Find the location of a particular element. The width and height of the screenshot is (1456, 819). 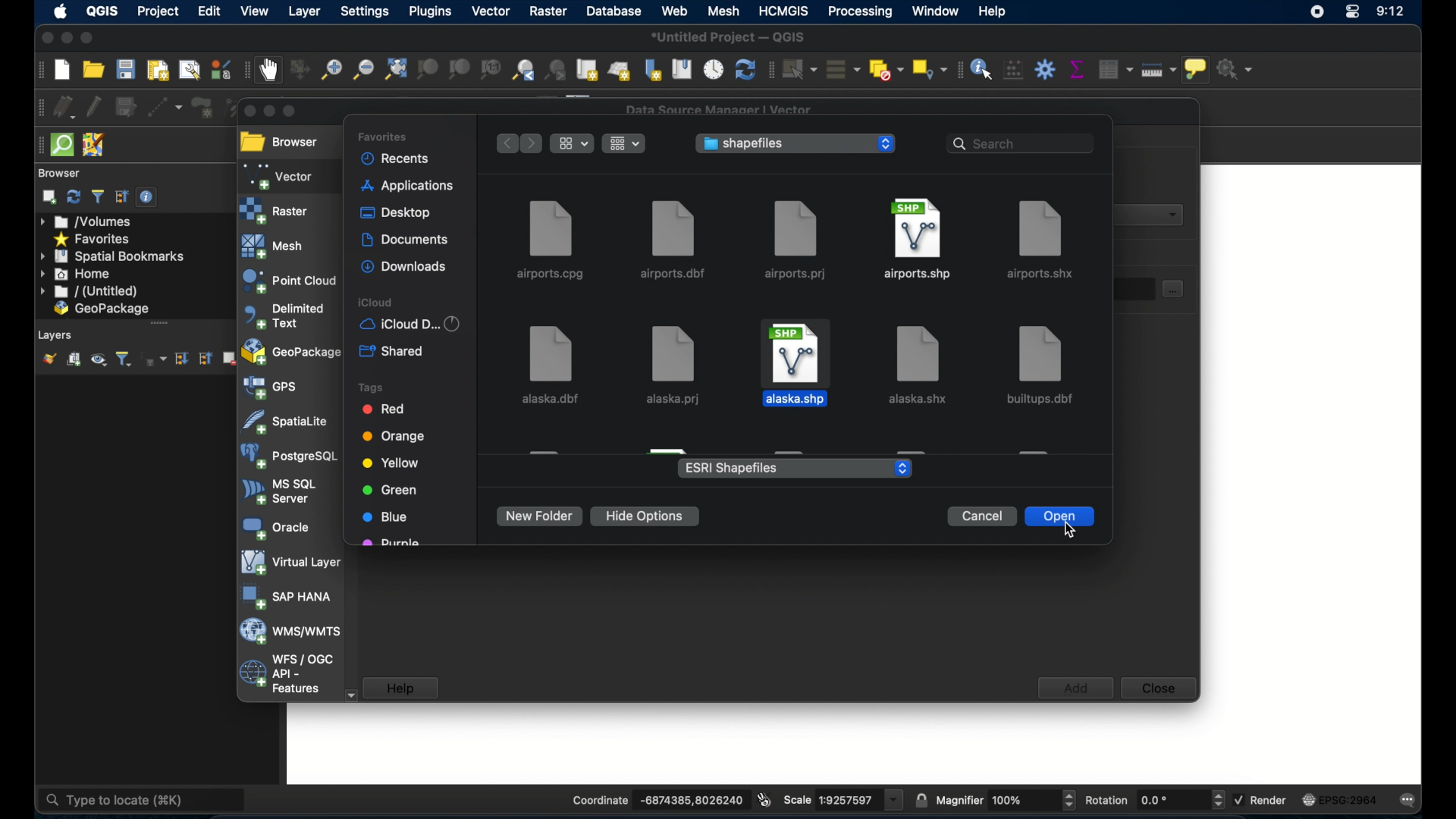

messages is located at coordinates (1411, 801).